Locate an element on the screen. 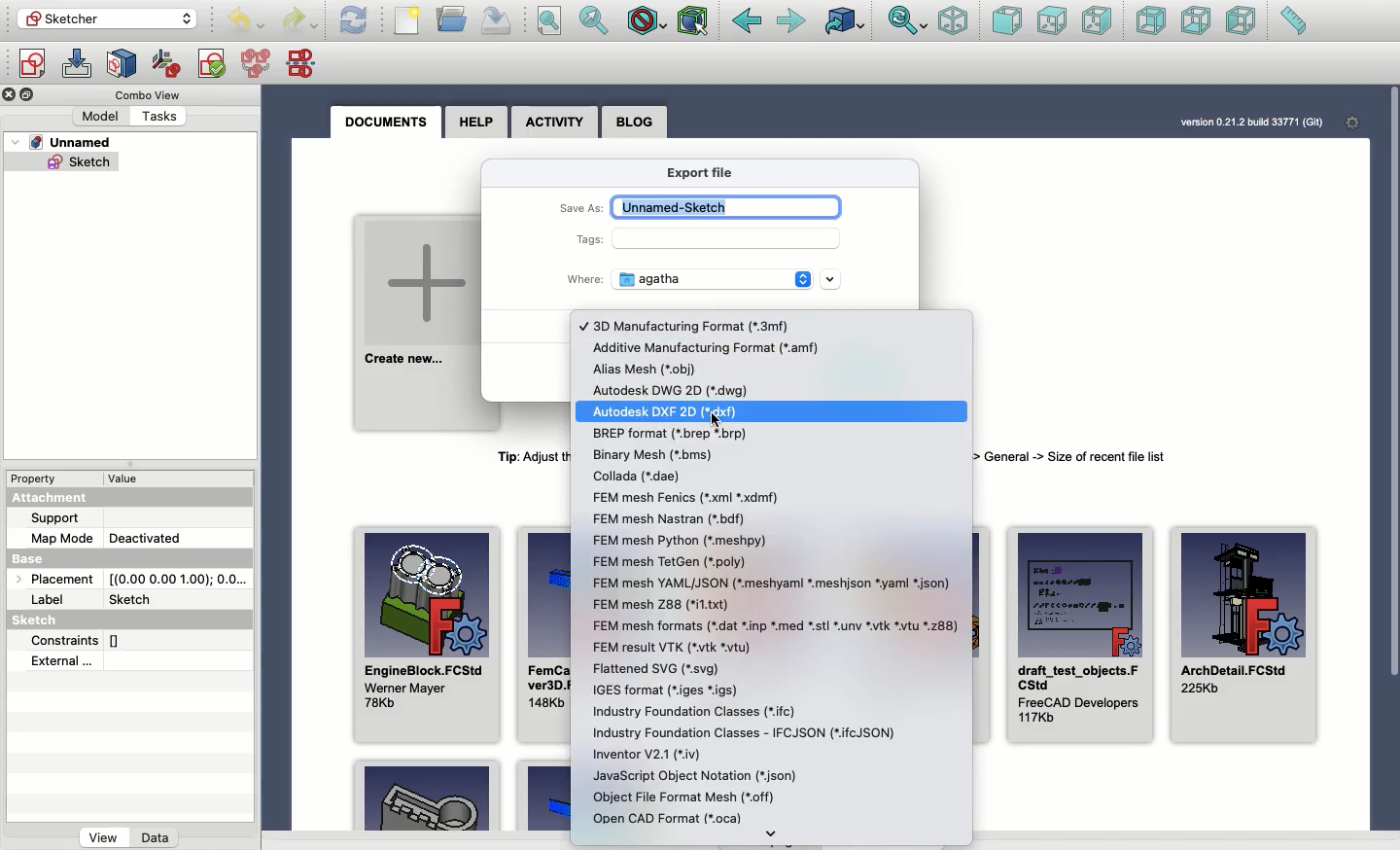 The width and height of the screenshot is (1400, 850). Refresh is located at coordinates (354, 20).